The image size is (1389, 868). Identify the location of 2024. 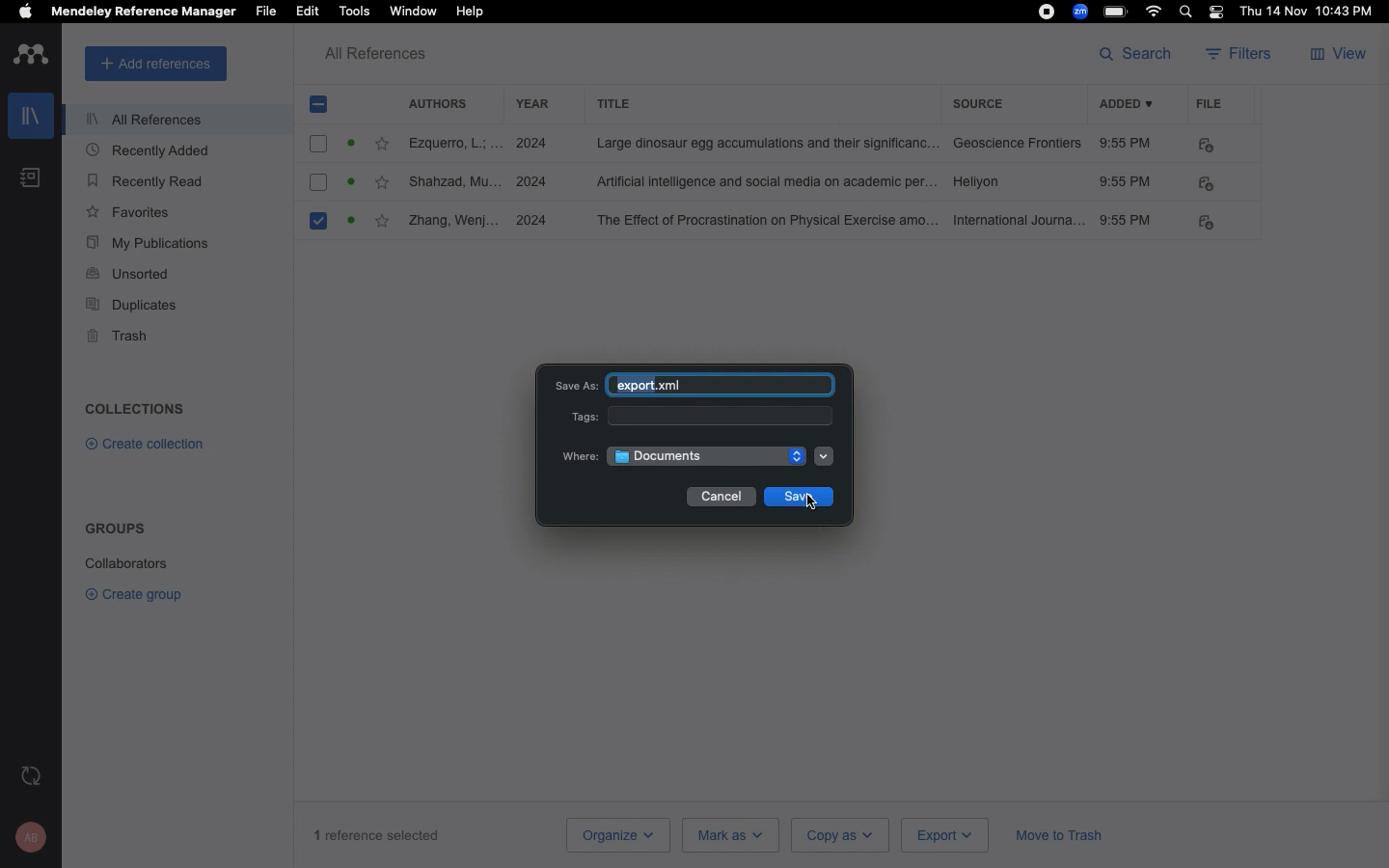
(535, 220).